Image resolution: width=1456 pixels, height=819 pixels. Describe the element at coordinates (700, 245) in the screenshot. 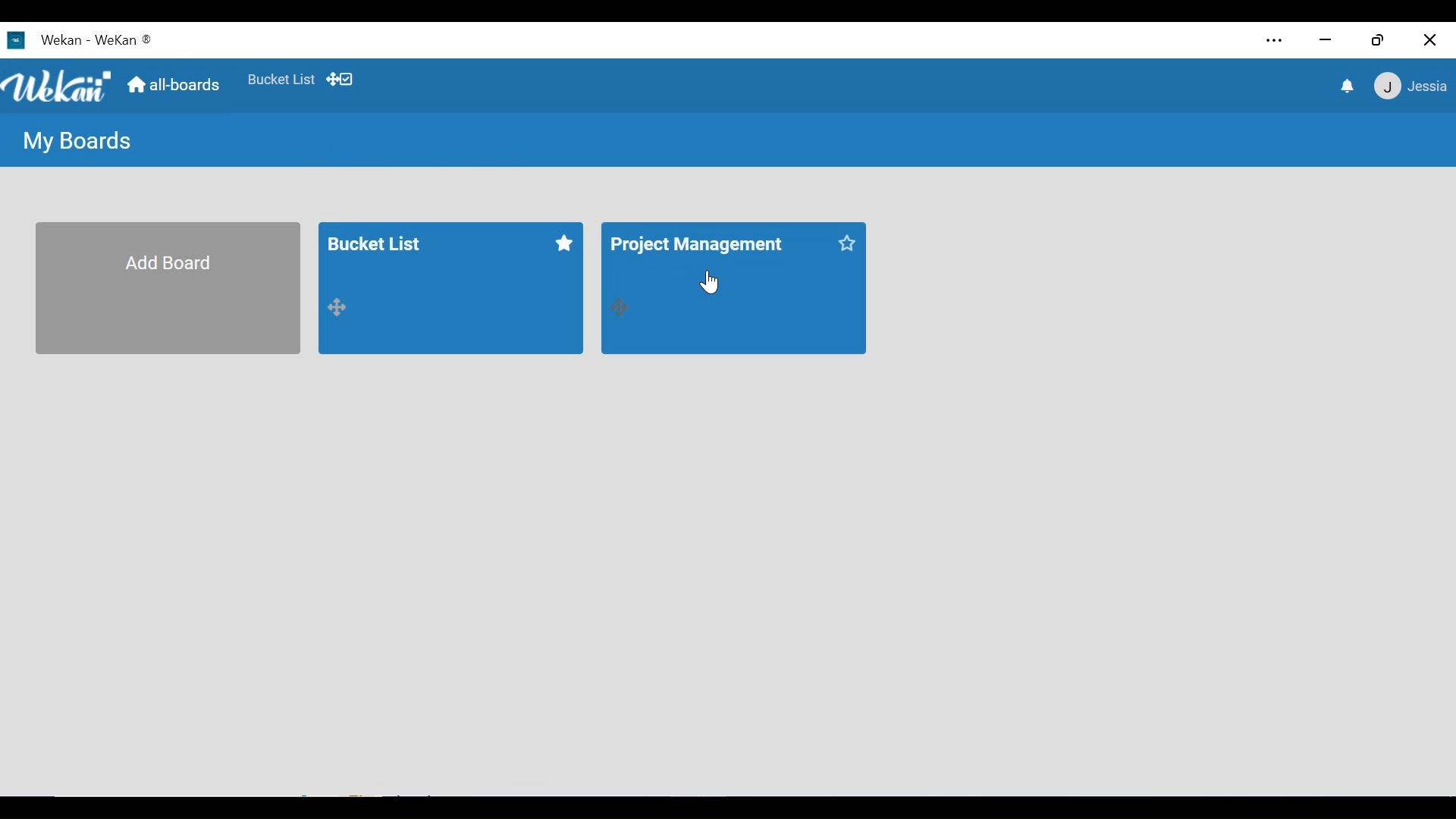

I see `Project Management` at that location.